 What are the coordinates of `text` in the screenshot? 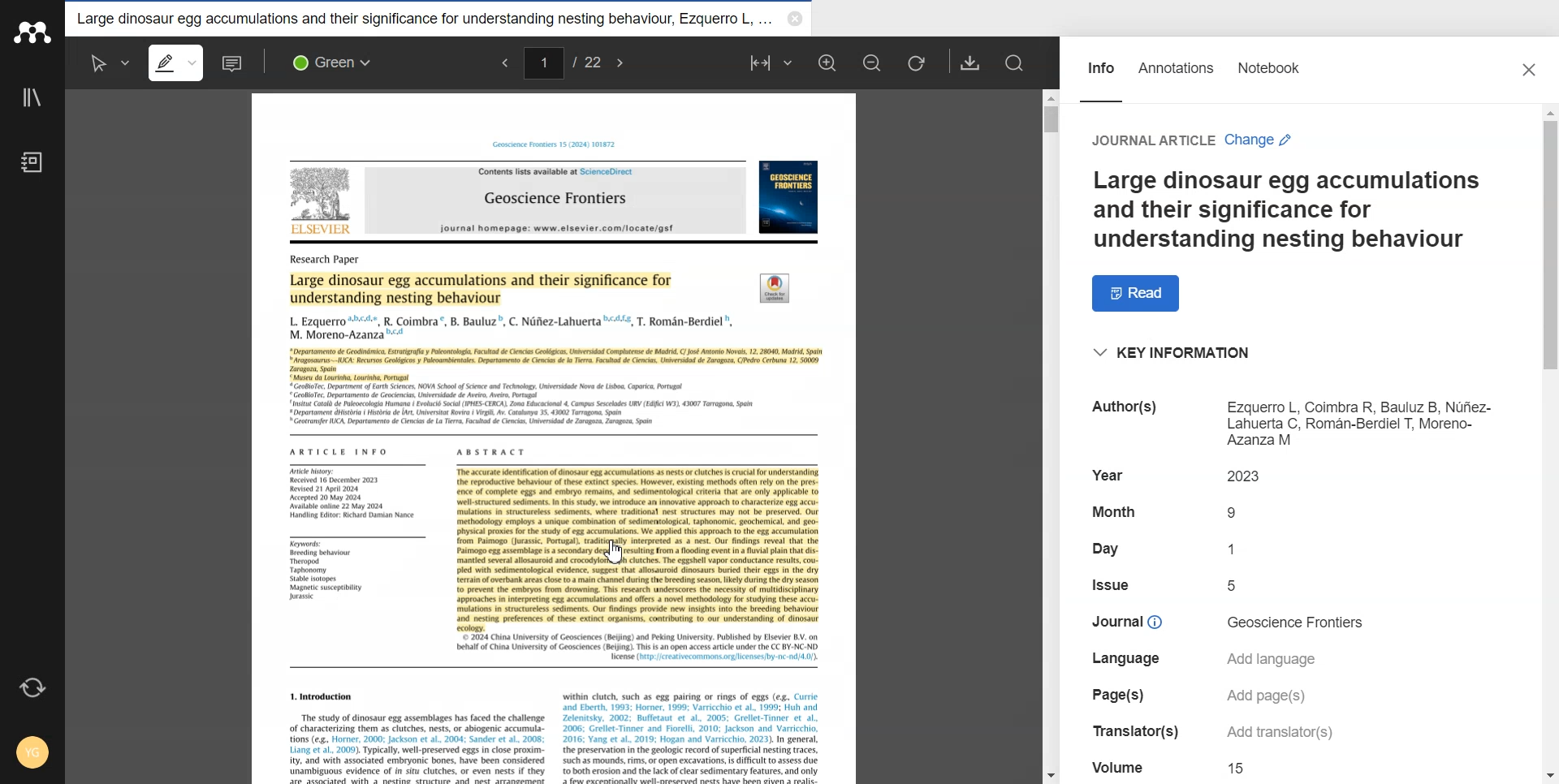 It's located at (1152, 141).